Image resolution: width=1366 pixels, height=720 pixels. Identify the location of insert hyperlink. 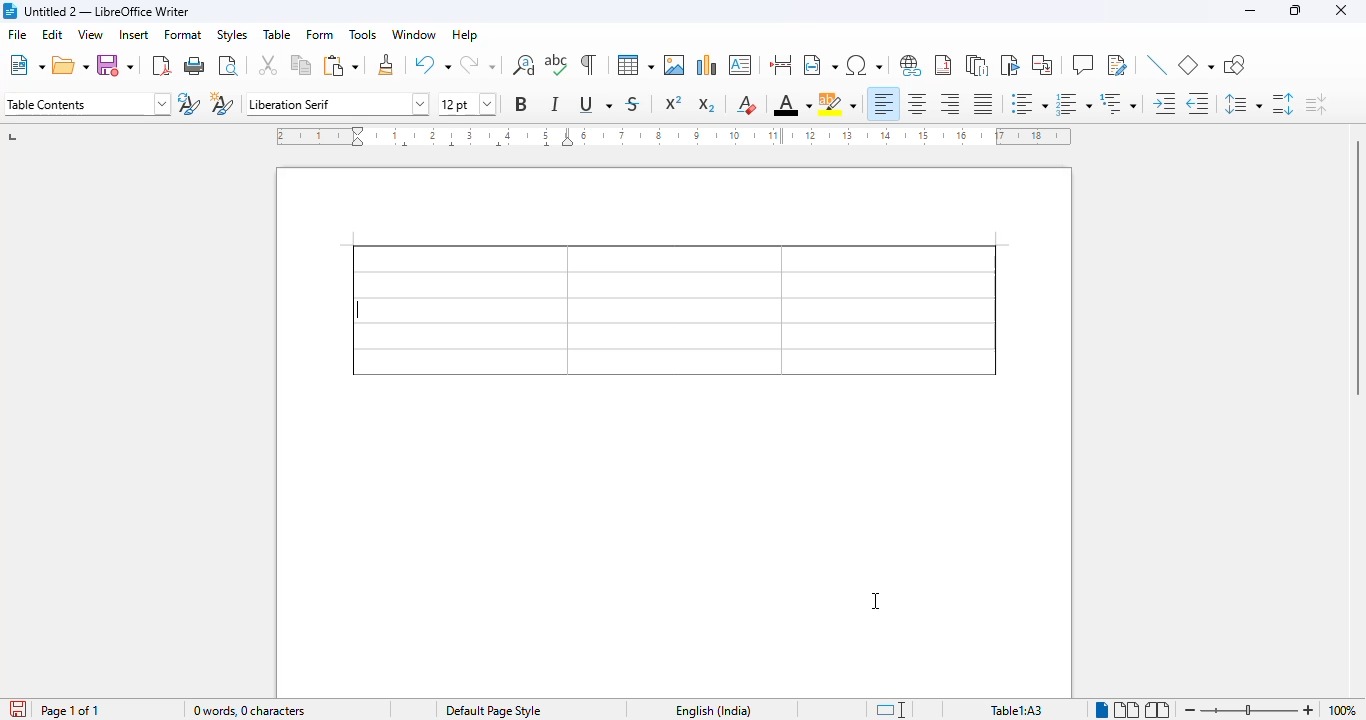
(911, 64).